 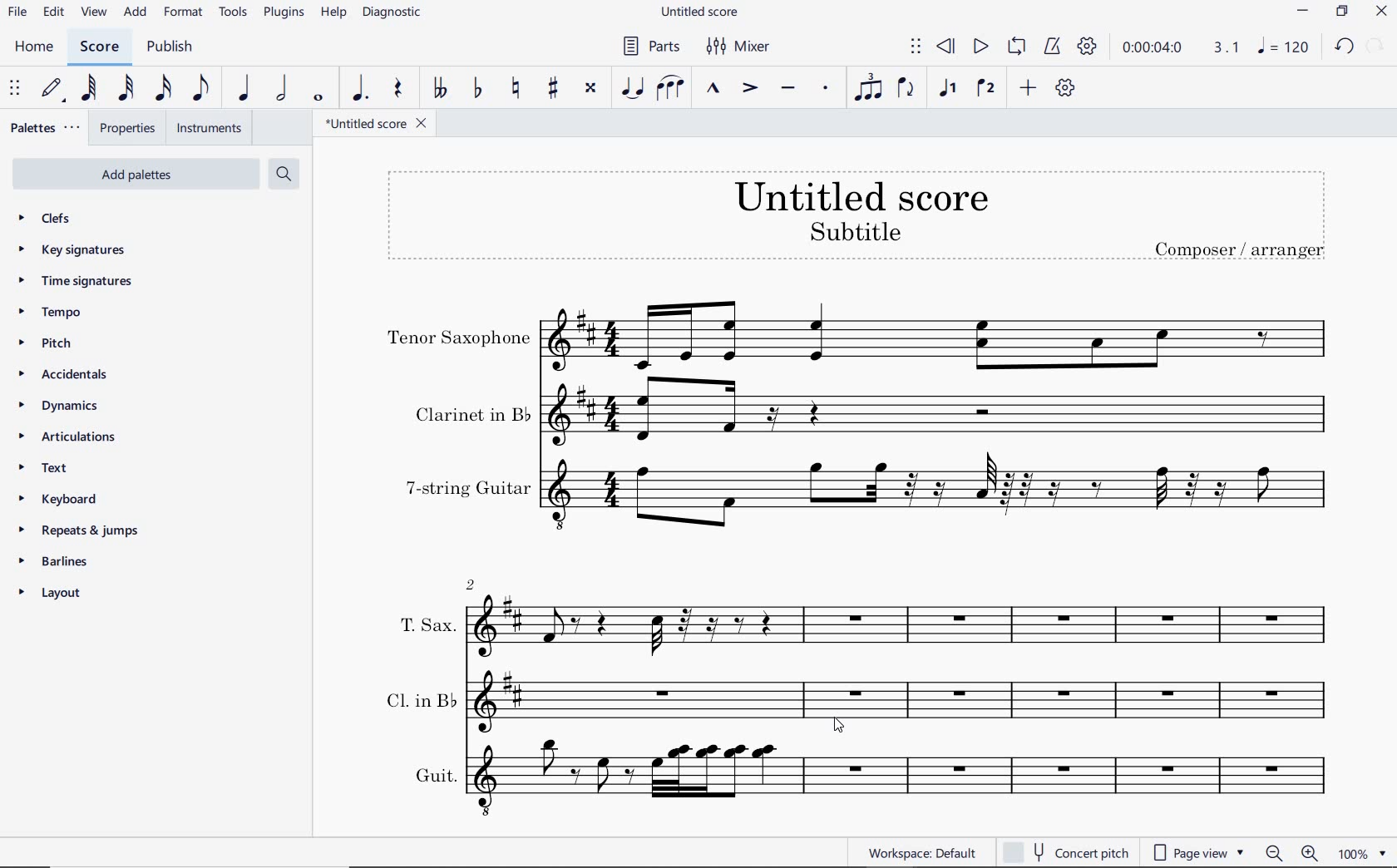 What do you see at coordinates (1345, 47) in the screenshot?
I see `UNDO` at bounding box center [1345, 47].